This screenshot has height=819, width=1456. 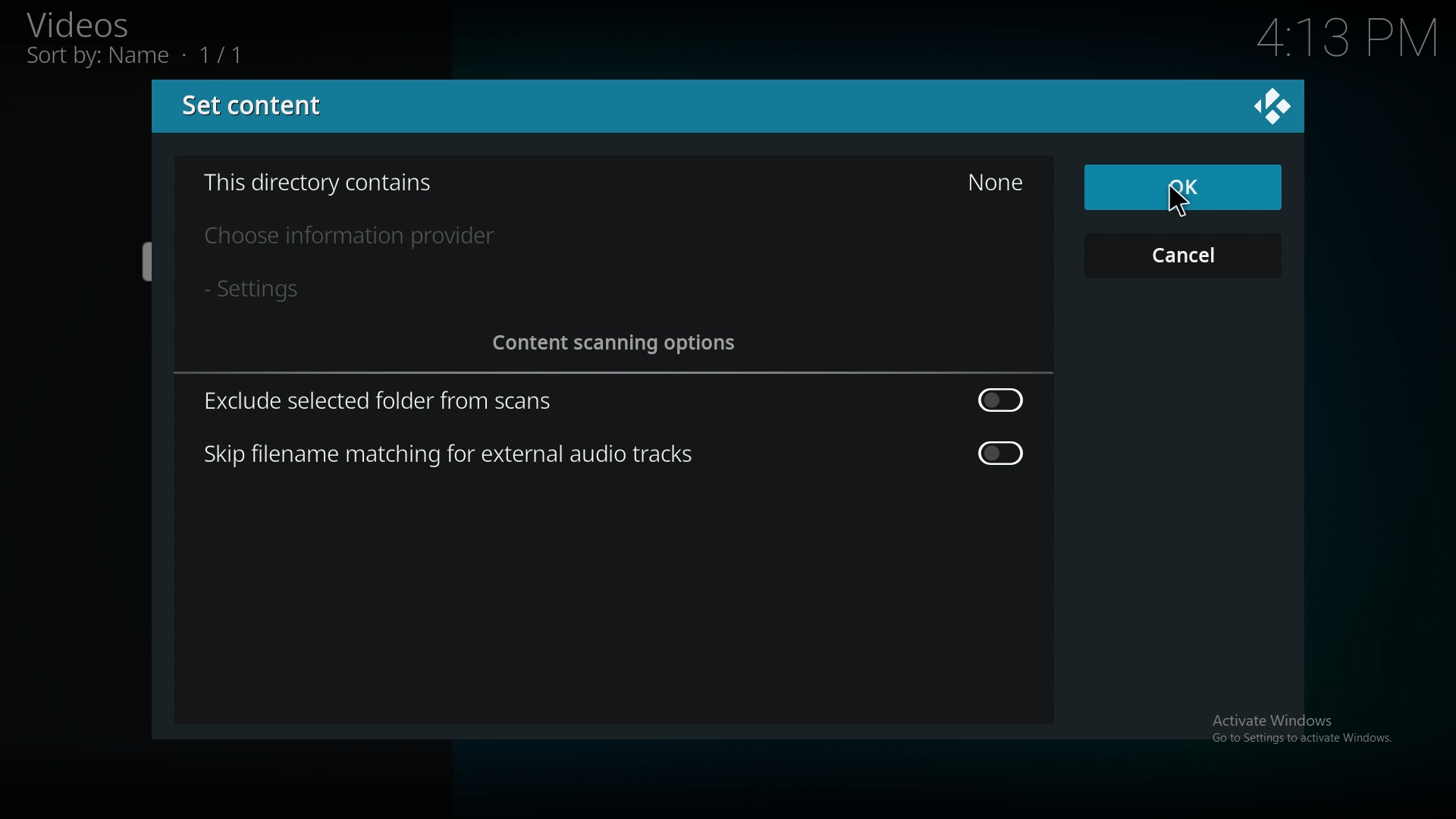 I want to click on ok, so click(x=1181, y=188).